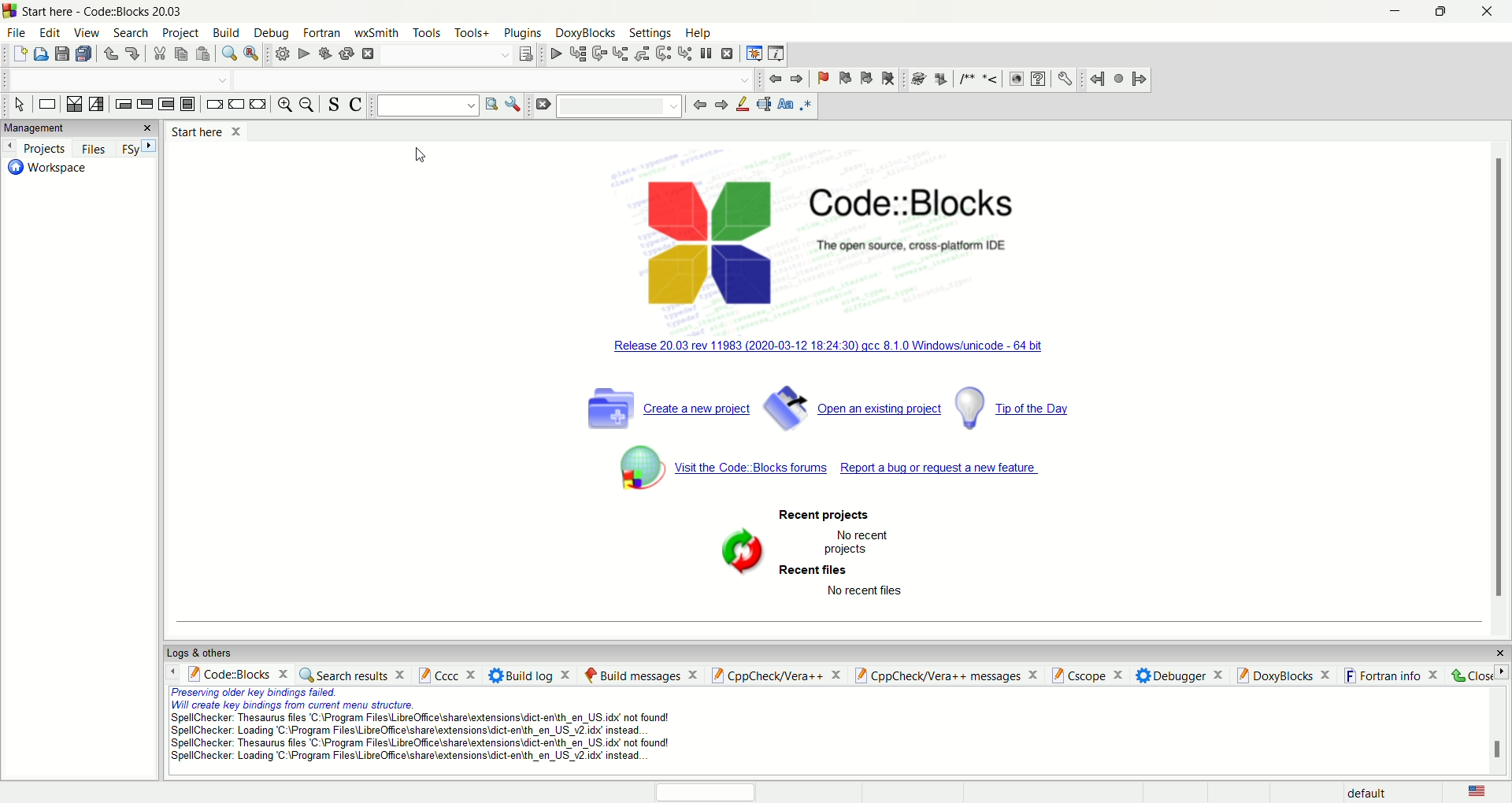  I want to click on workspace, so click(52, 172).